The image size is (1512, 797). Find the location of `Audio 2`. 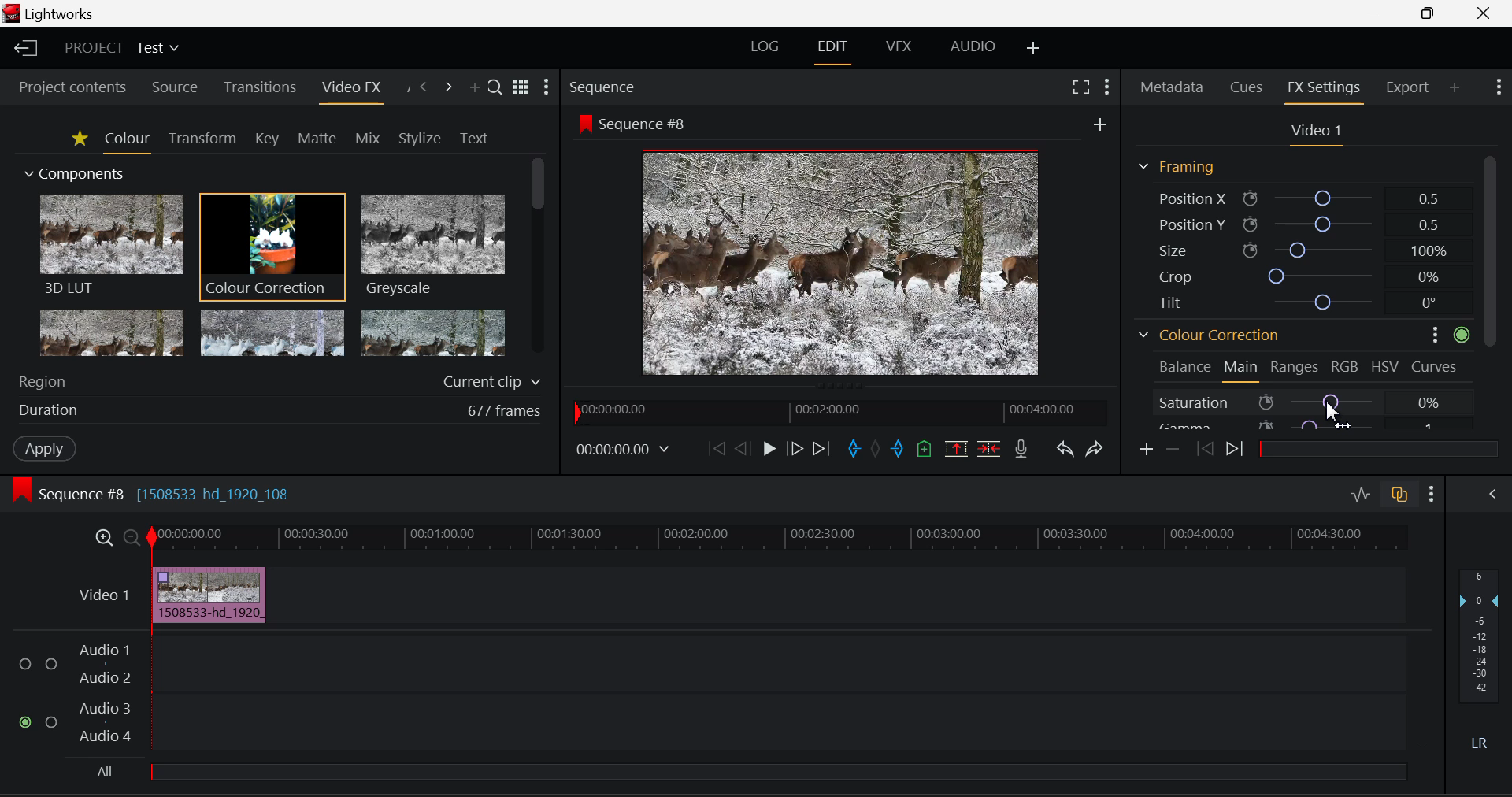

Audio 2 is located at coordinates (104, 679).